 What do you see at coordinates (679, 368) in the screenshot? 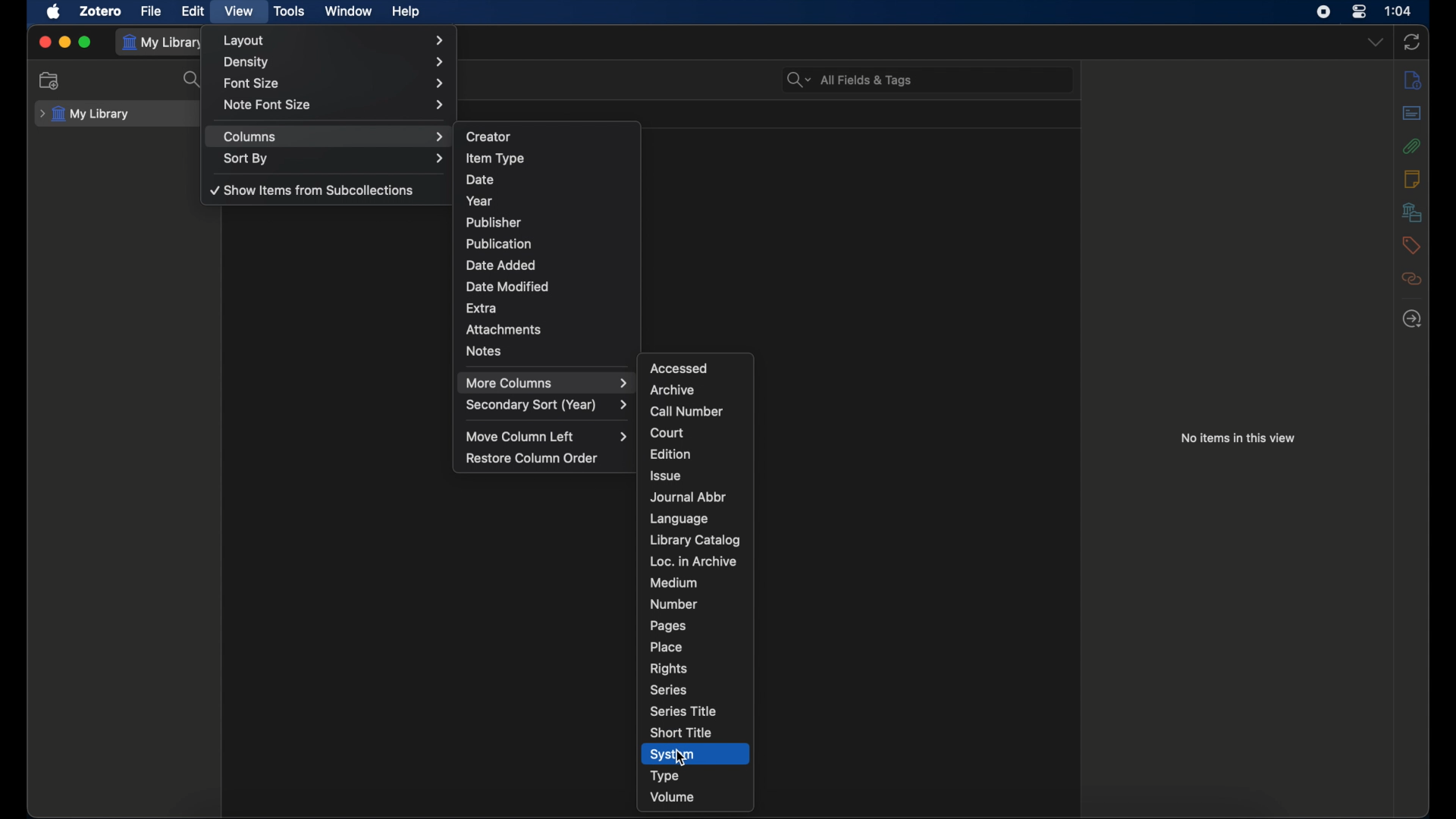
I see `accessed` at bounding box center [679, 368].